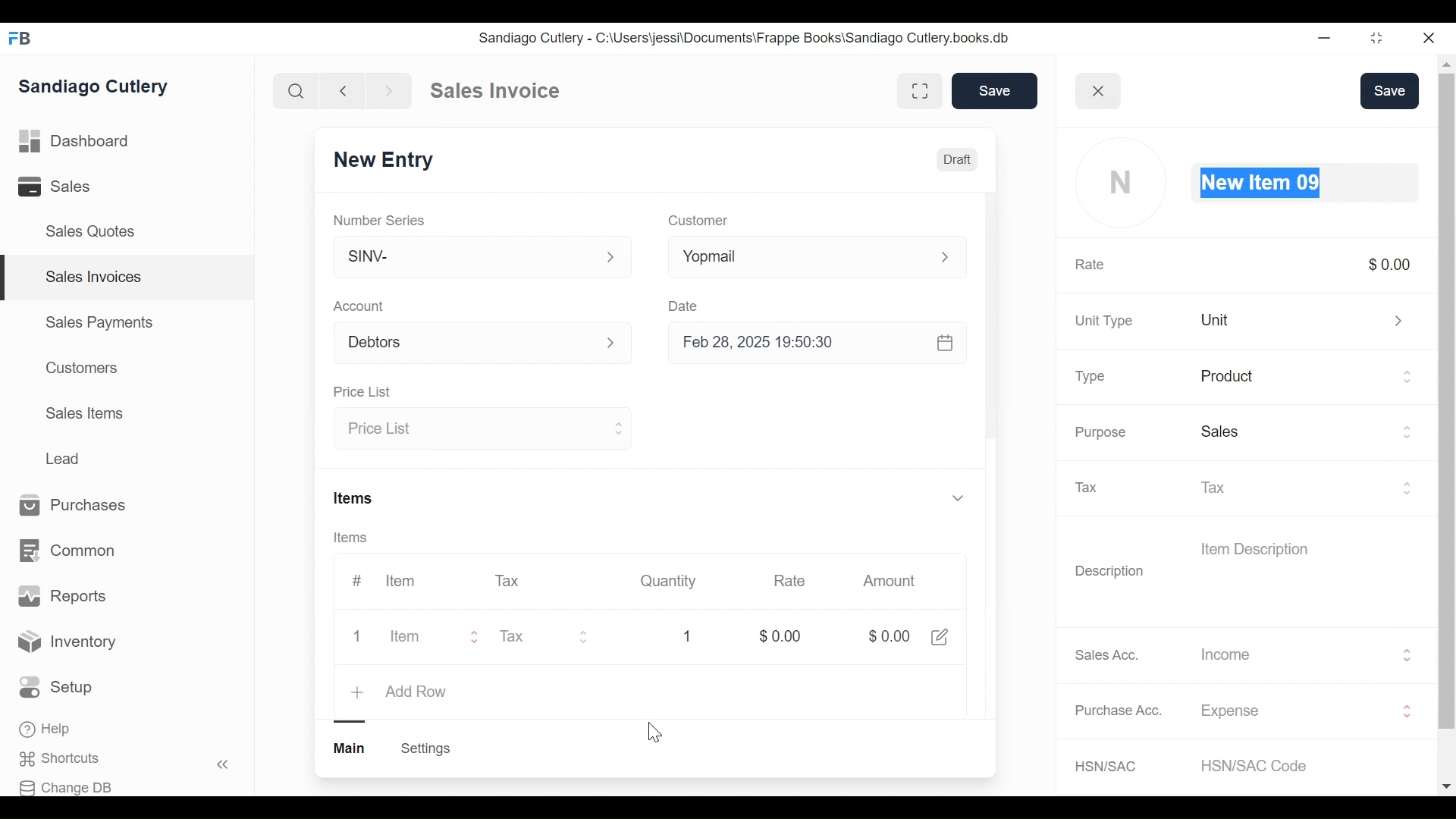 This screenshot has height=819, width=1456. Describe the element at coordinates (1254, 548) in the screenshot. I see `Item Description` at that location.